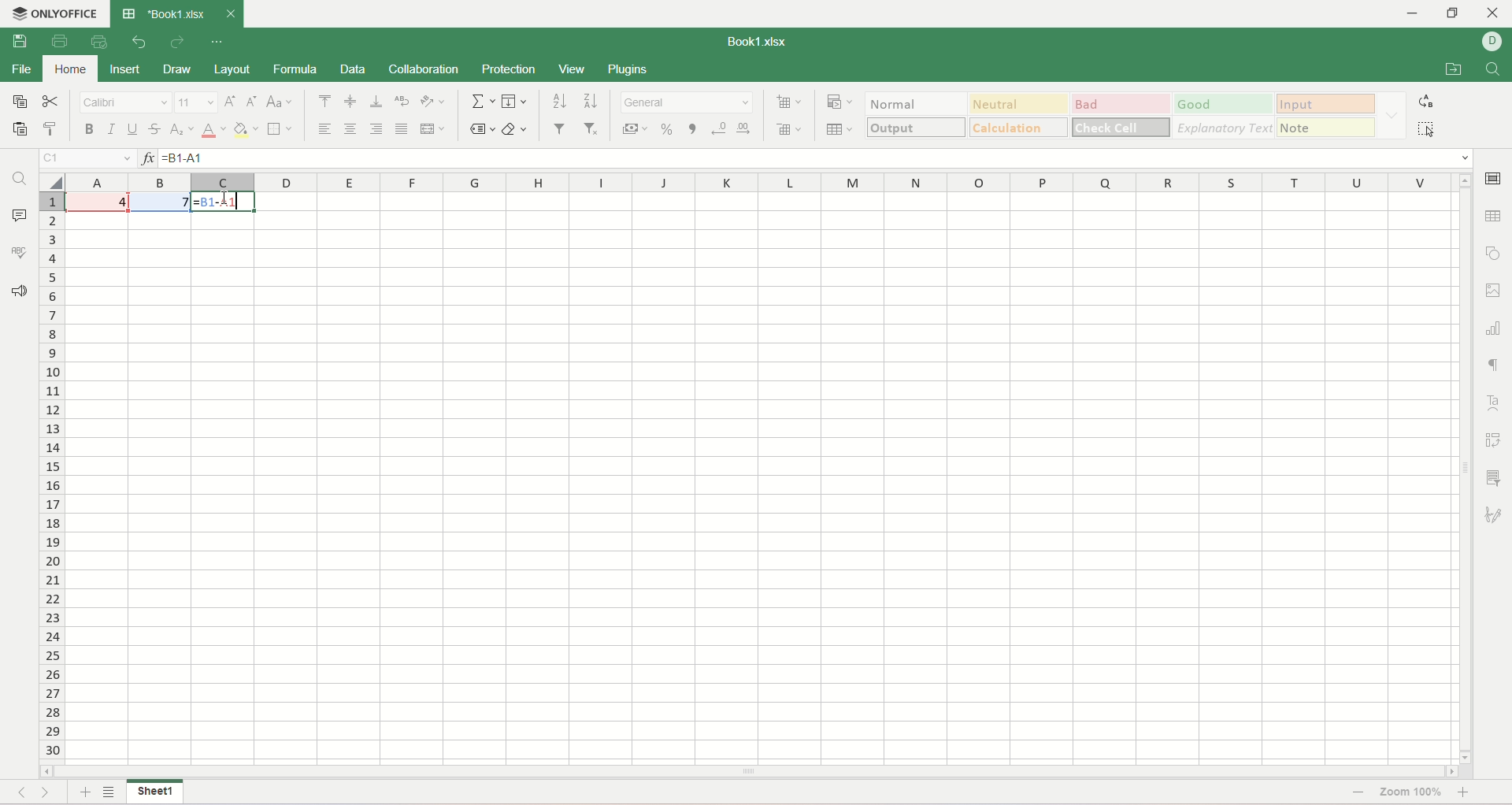 The width and height of the screenshot is (1512, 805). What do you see at coordinates (67, 11) in the screenshot?
I see `onlyoffice` at bounding box center [67, 11].